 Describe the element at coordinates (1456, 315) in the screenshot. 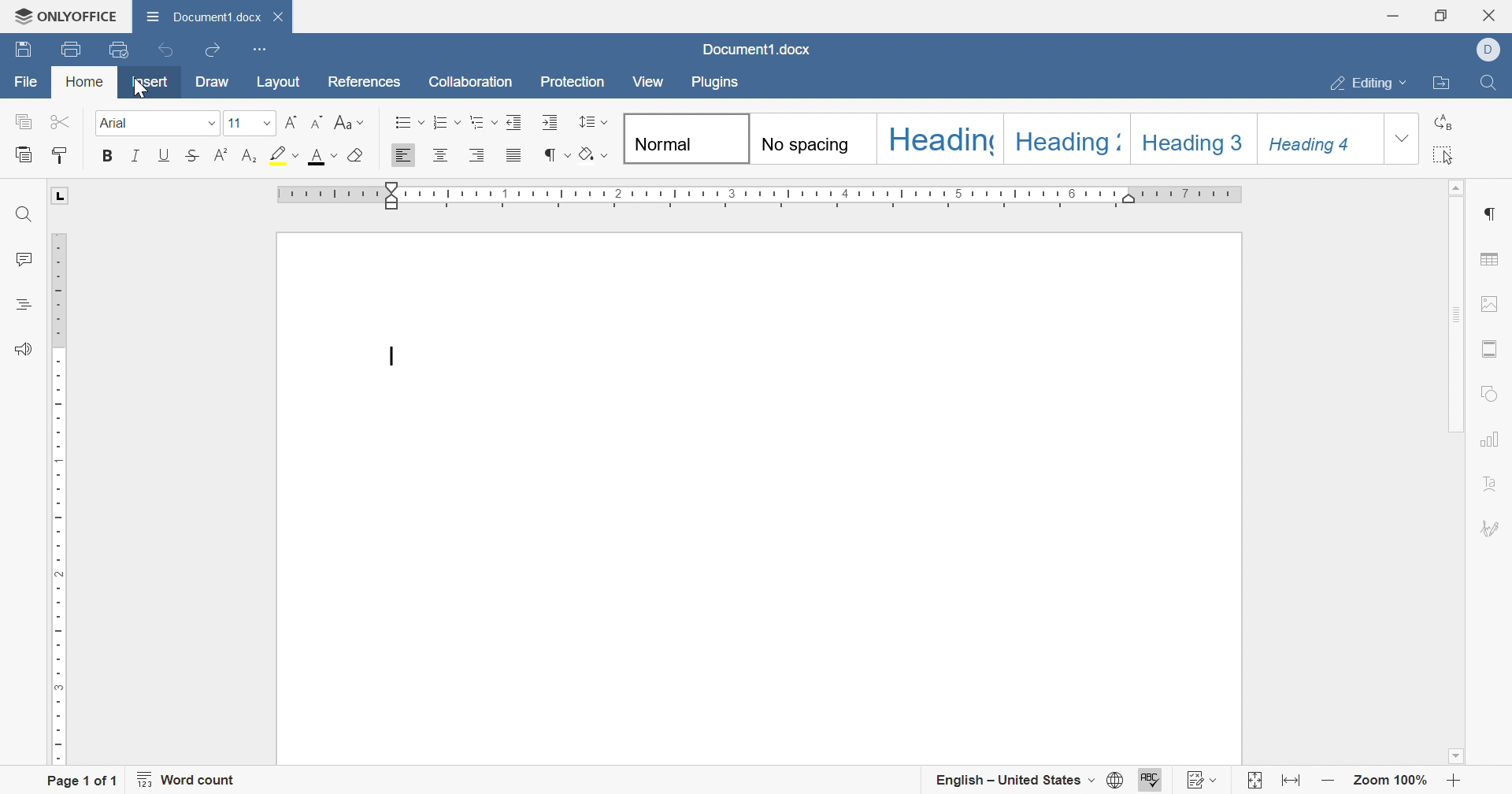

I see `Scroll Bar` at that location.